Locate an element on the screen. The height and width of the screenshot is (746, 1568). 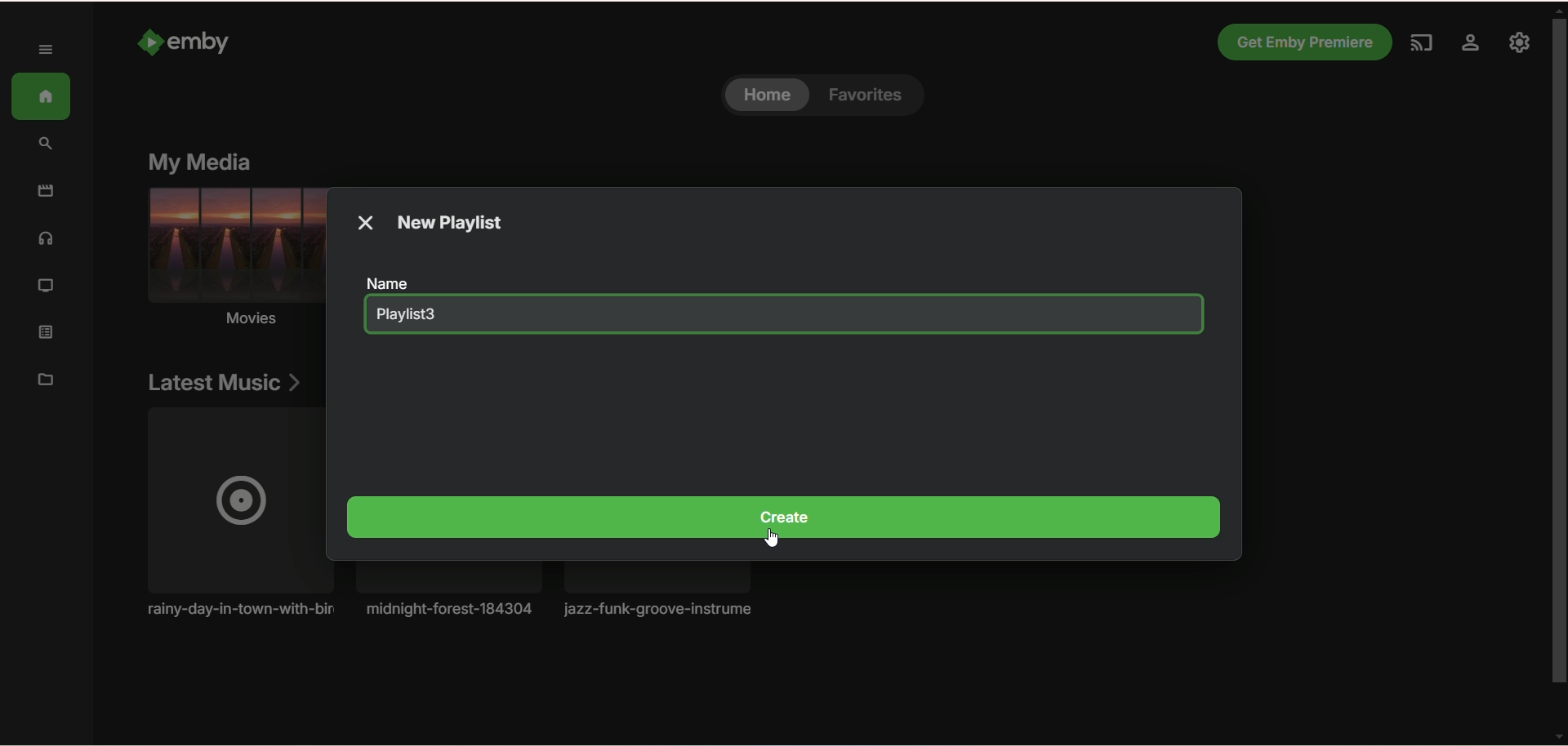
my media is located at coordinates (200, 161).